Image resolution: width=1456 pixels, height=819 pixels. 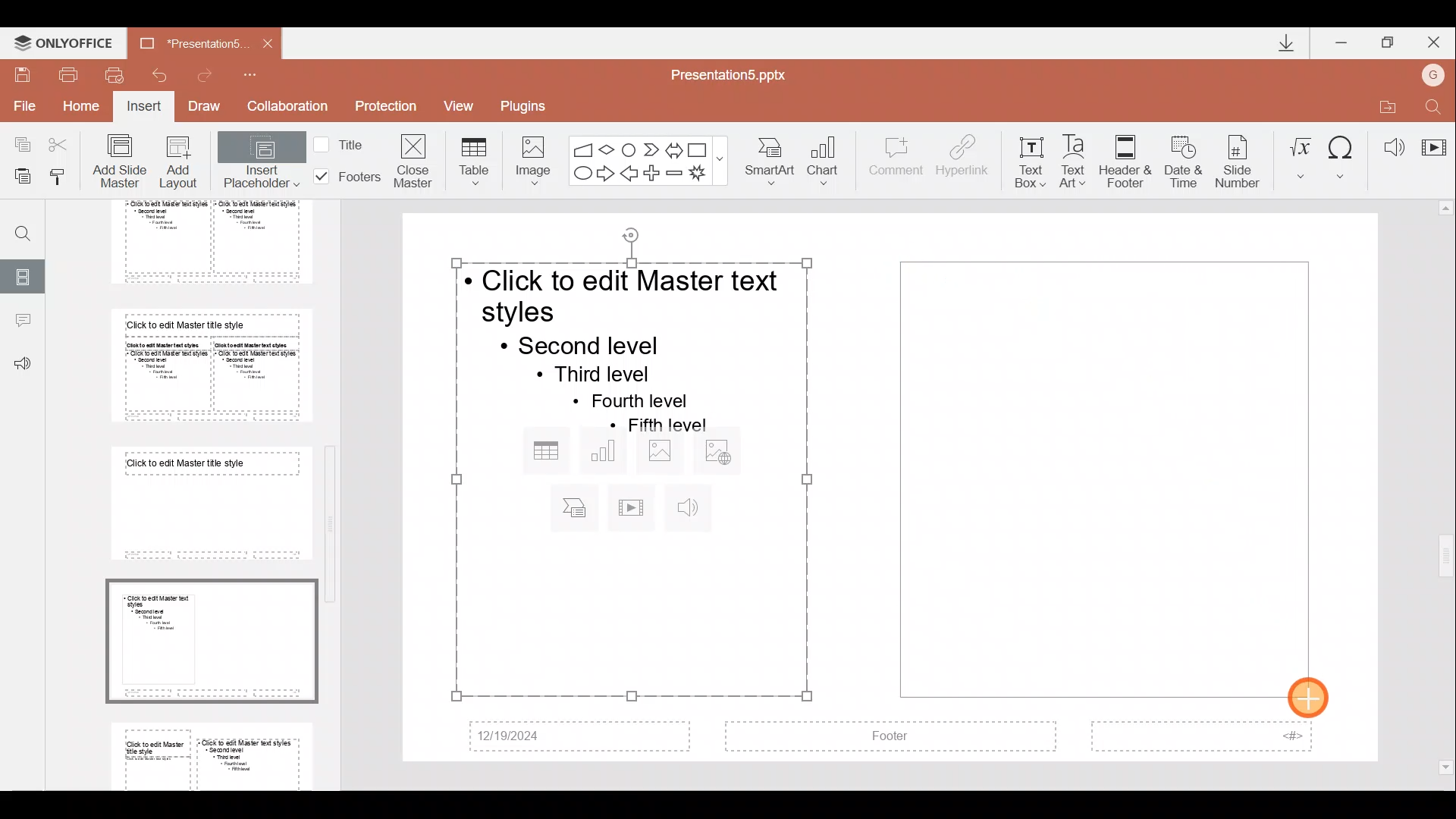 I want to click on Insert placeholder, so click(x=260, y=163).